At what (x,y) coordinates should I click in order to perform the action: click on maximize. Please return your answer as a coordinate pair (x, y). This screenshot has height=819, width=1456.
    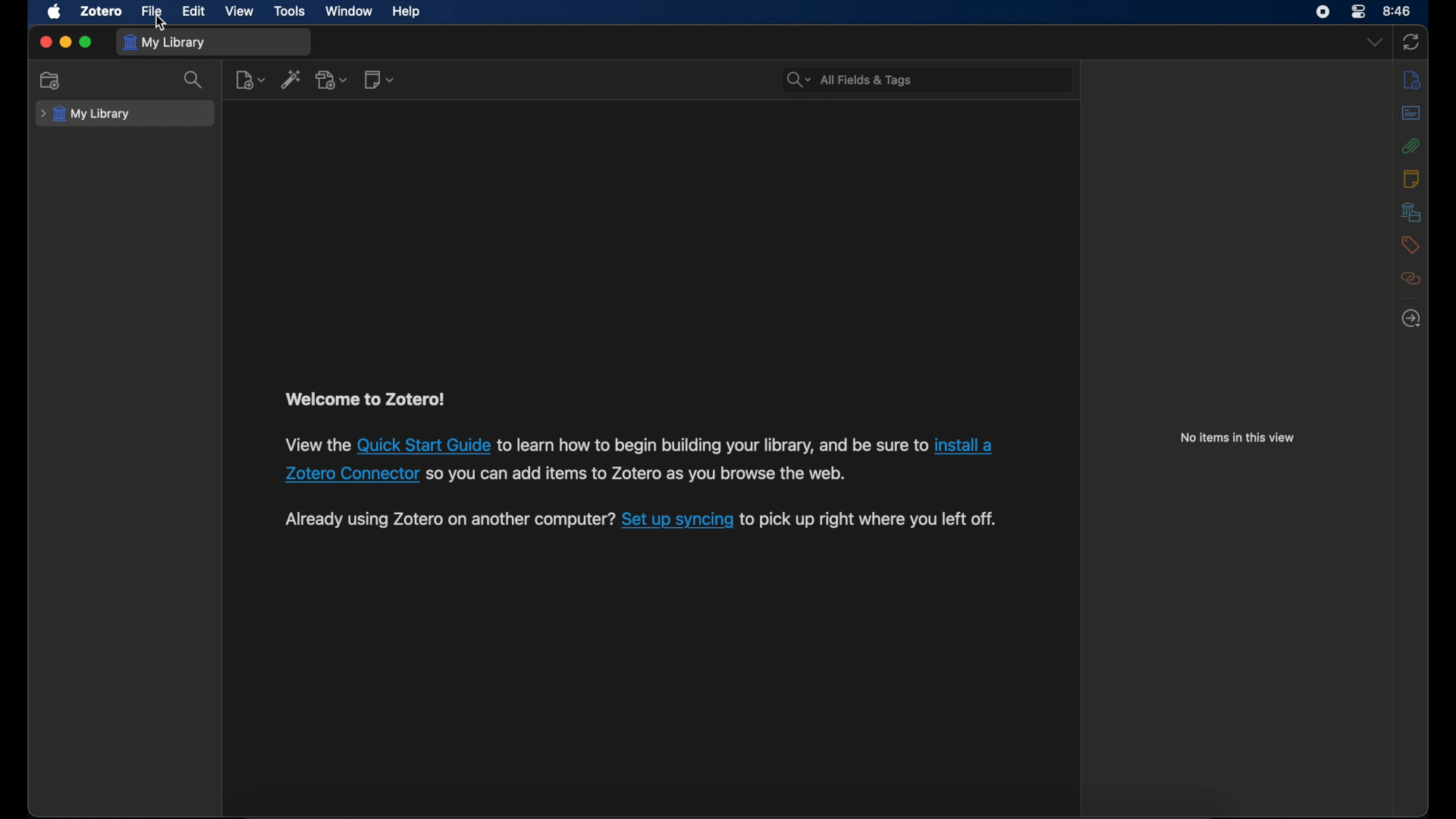
    Looking at the image, I should click on (86, 43).